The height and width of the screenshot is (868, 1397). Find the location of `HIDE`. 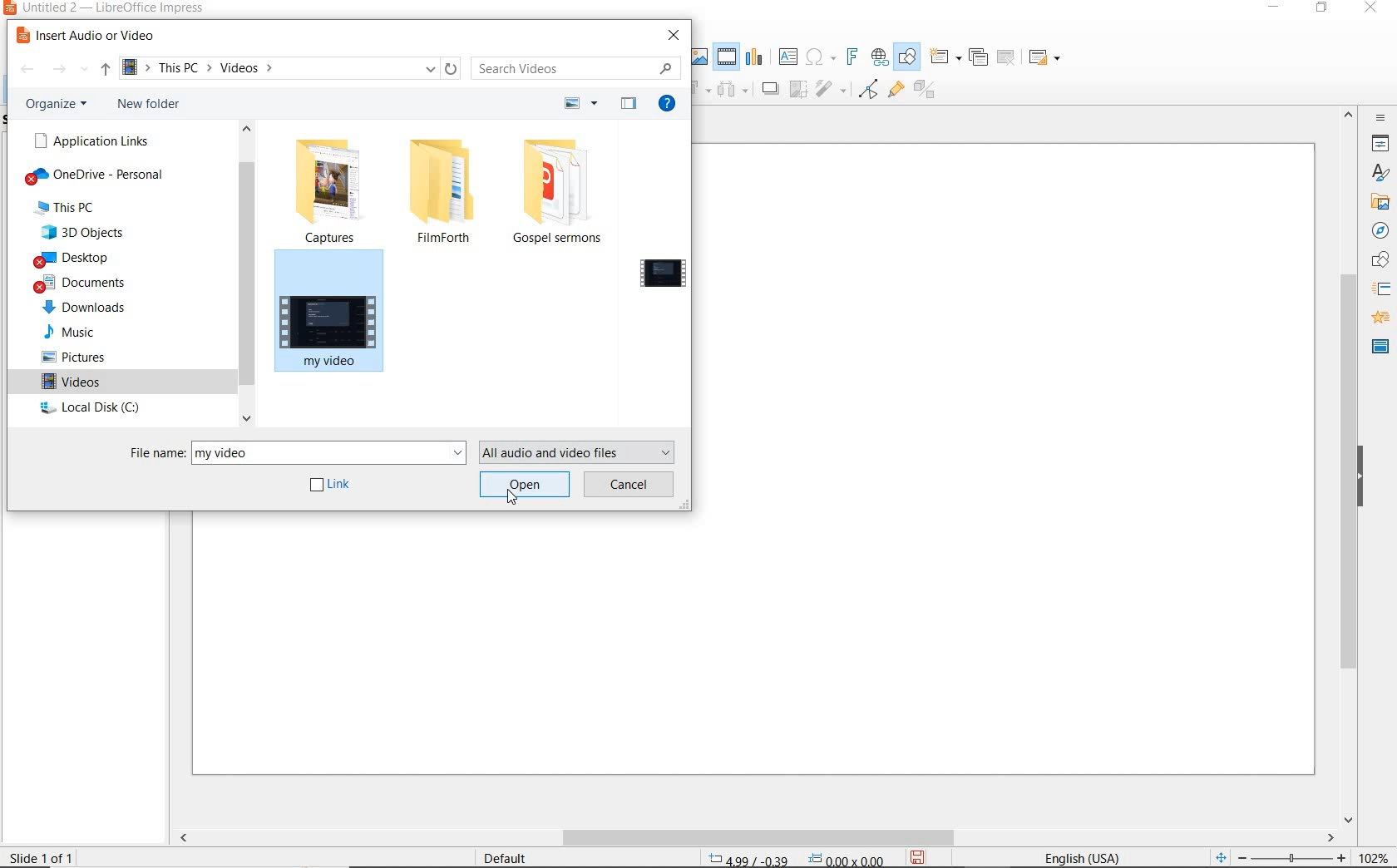

HIDE is located at coordinates (1368, 478).